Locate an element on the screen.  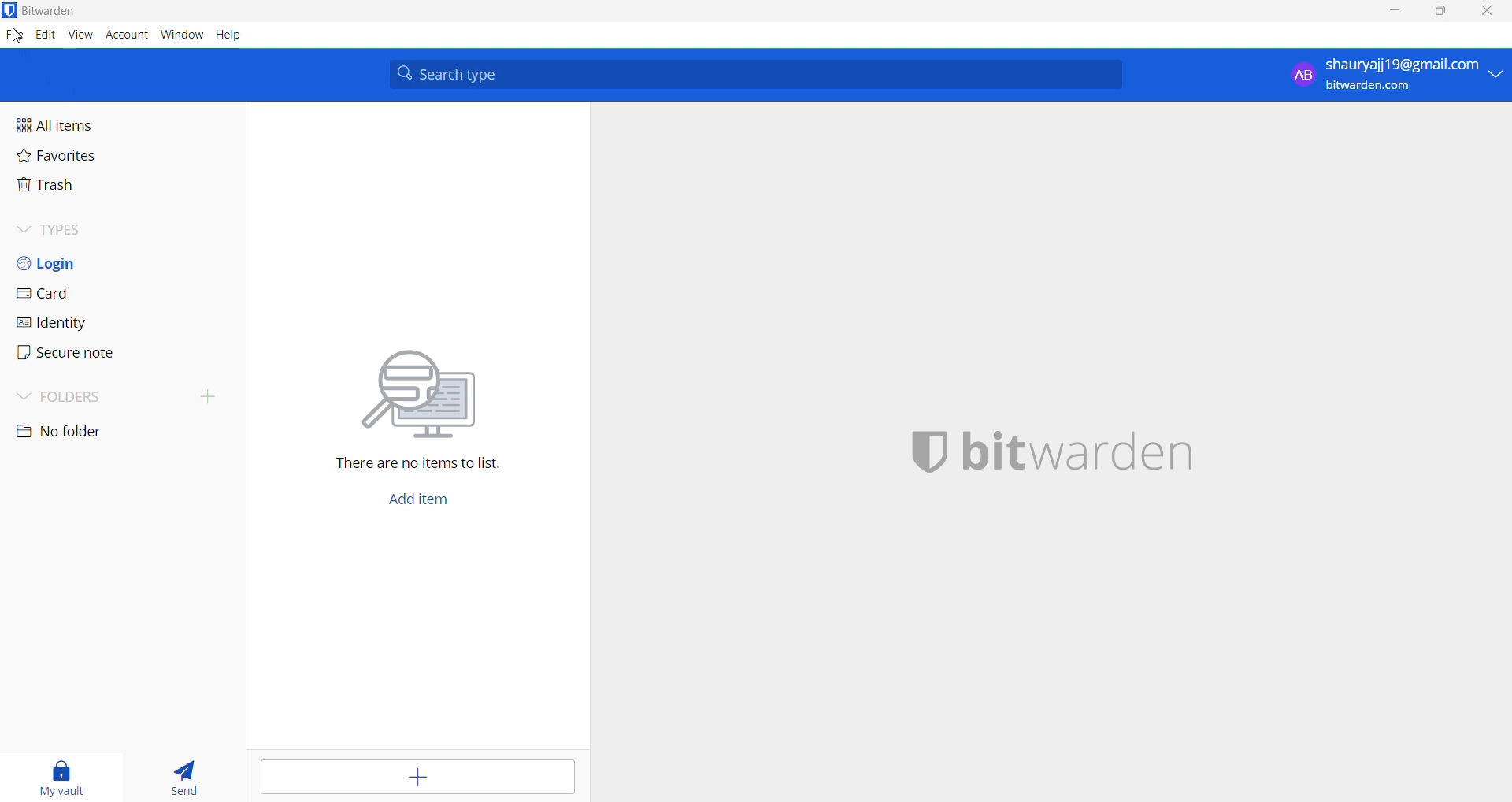
my vault  is located at coordinates (63, 779).